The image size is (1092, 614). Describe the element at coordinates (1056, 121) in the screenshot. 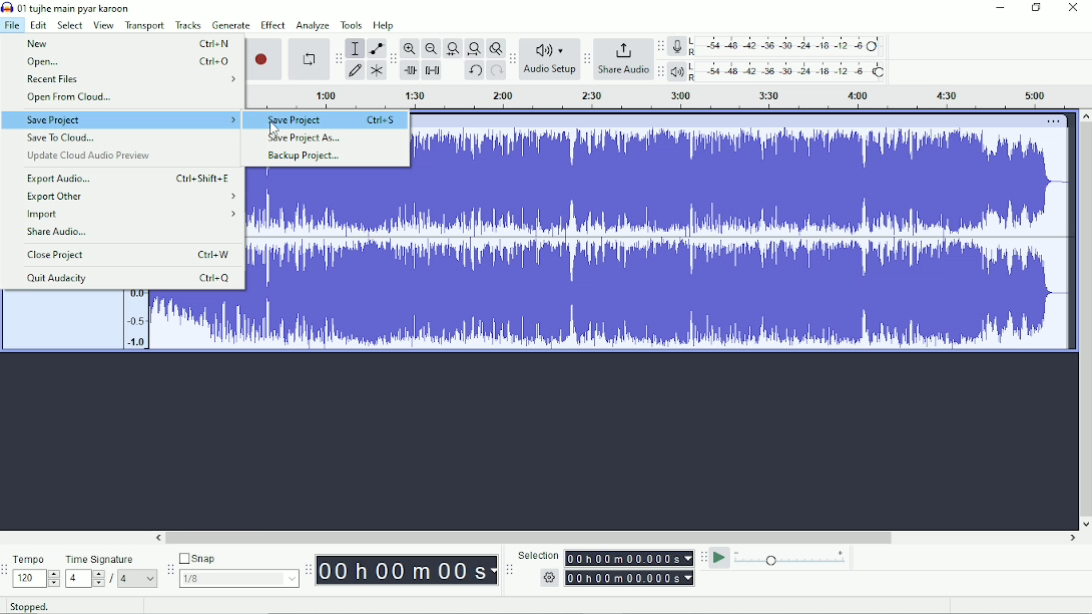

I see `More options` at that location.